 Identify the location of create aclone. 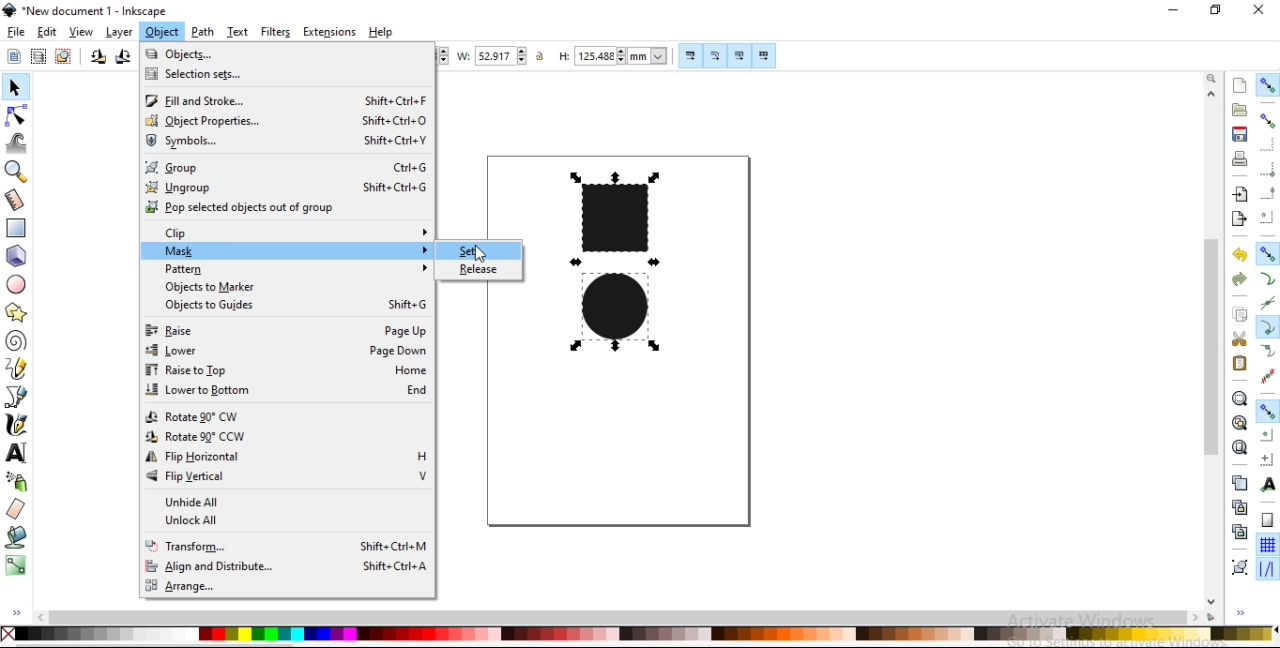
(1238, 508).